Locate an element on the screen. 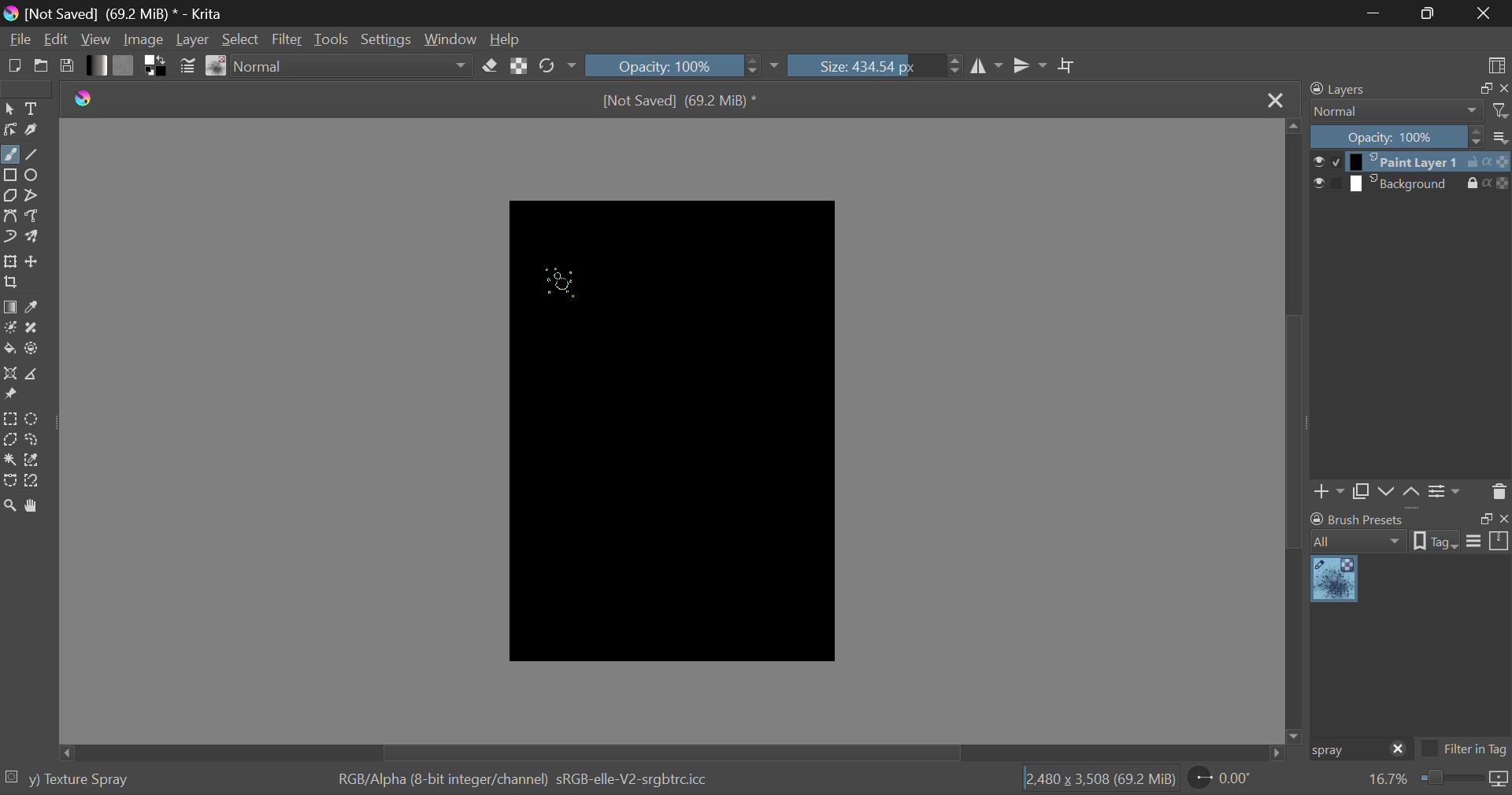  actions is located at coordinates (1488, 183).